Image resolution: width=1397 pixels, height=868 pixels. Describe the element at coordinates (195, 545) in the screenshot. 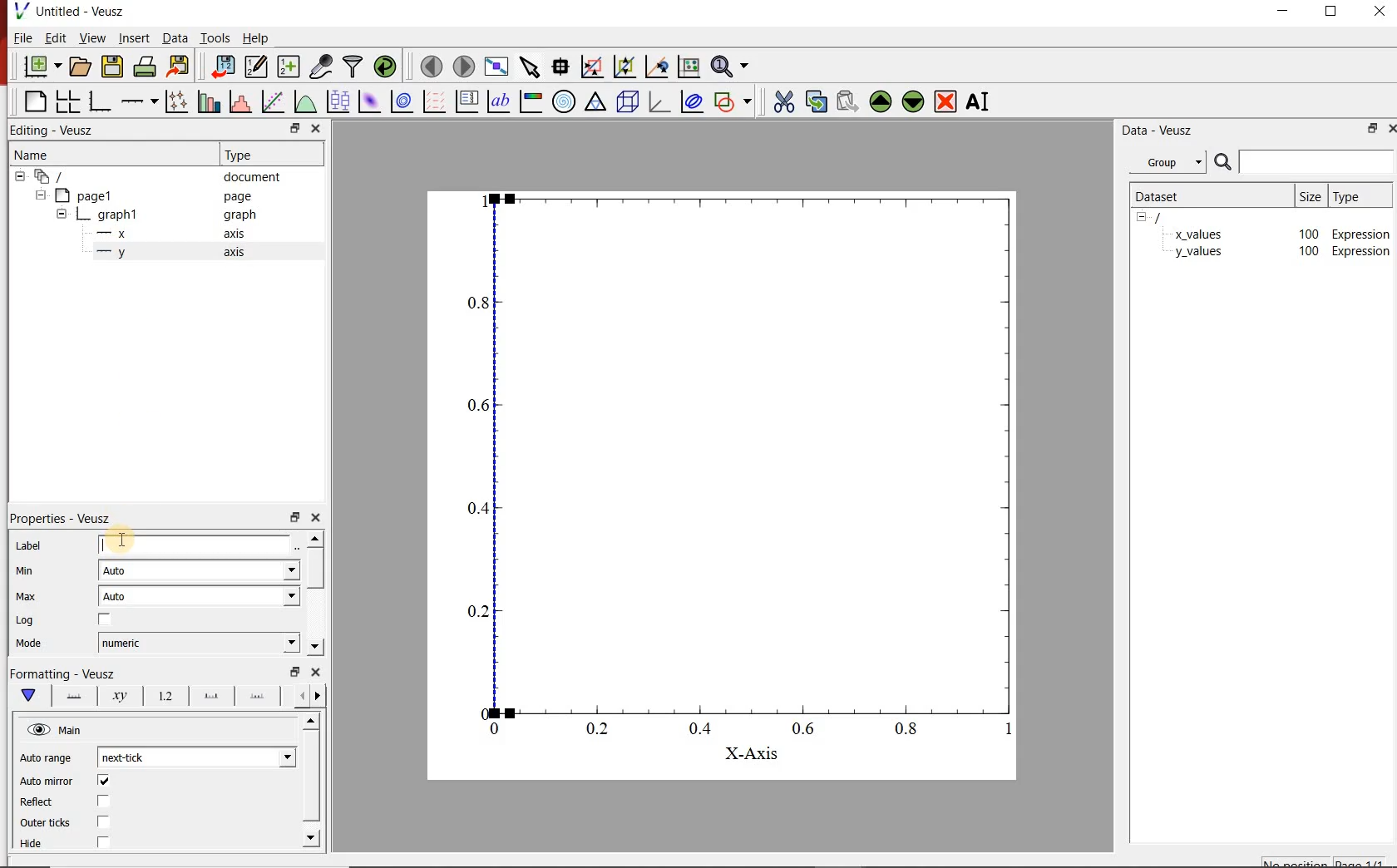

I see `input label` at that location.